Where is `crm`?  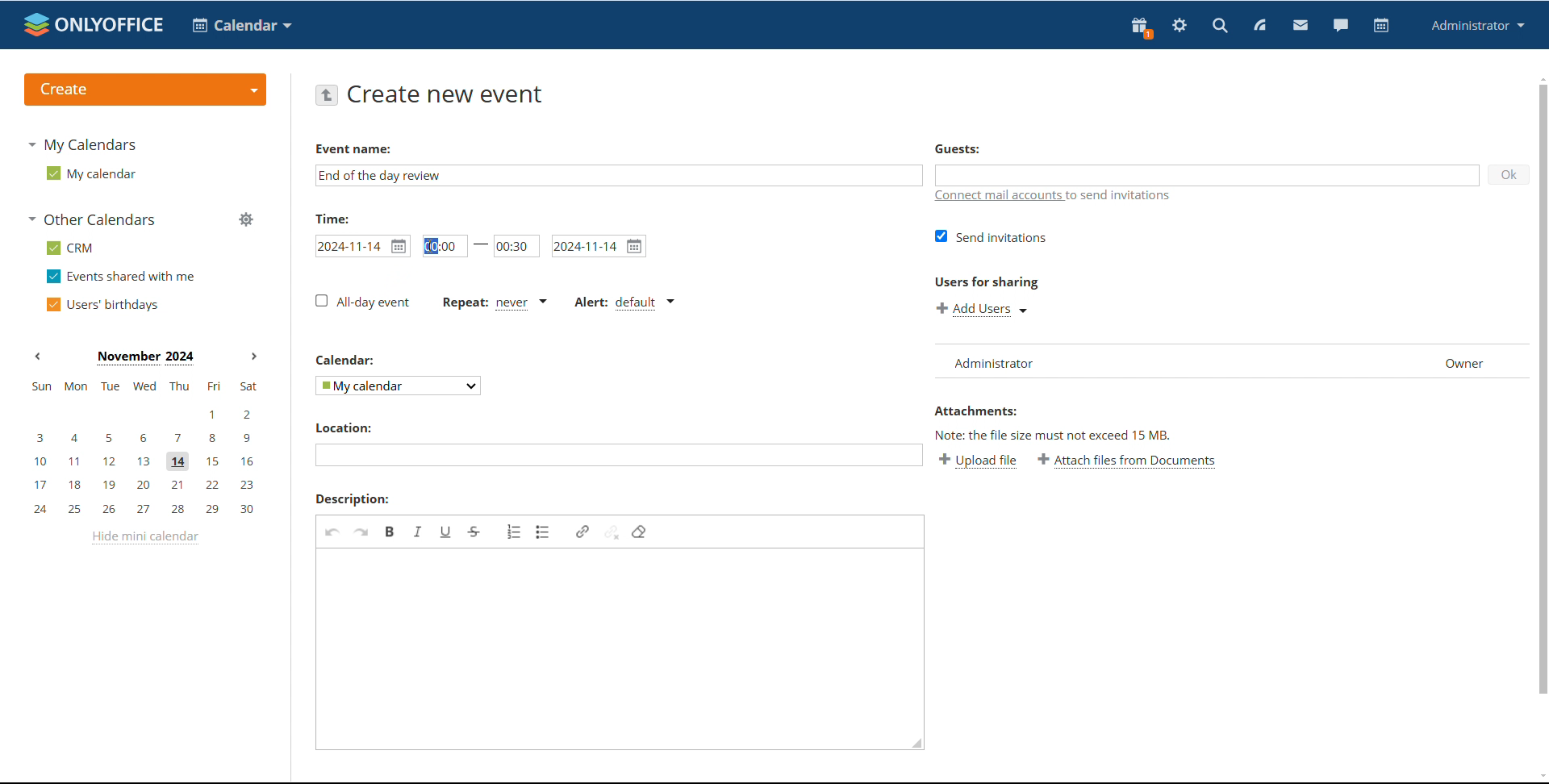
crm is located at coordinates (71, 248).